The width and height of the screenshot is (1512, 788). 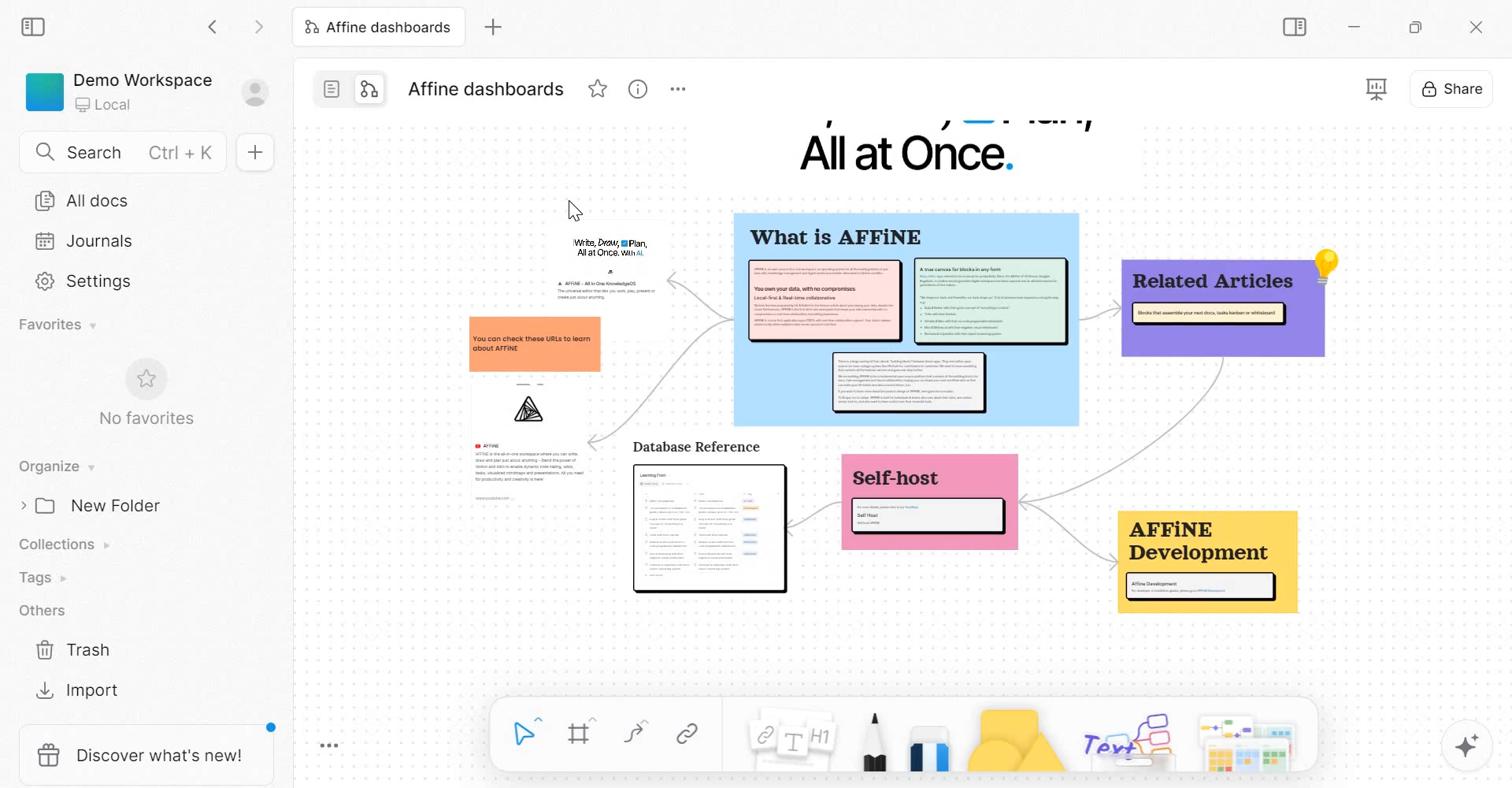 I want to click on favorite symbol, so click(x=147, y=378).